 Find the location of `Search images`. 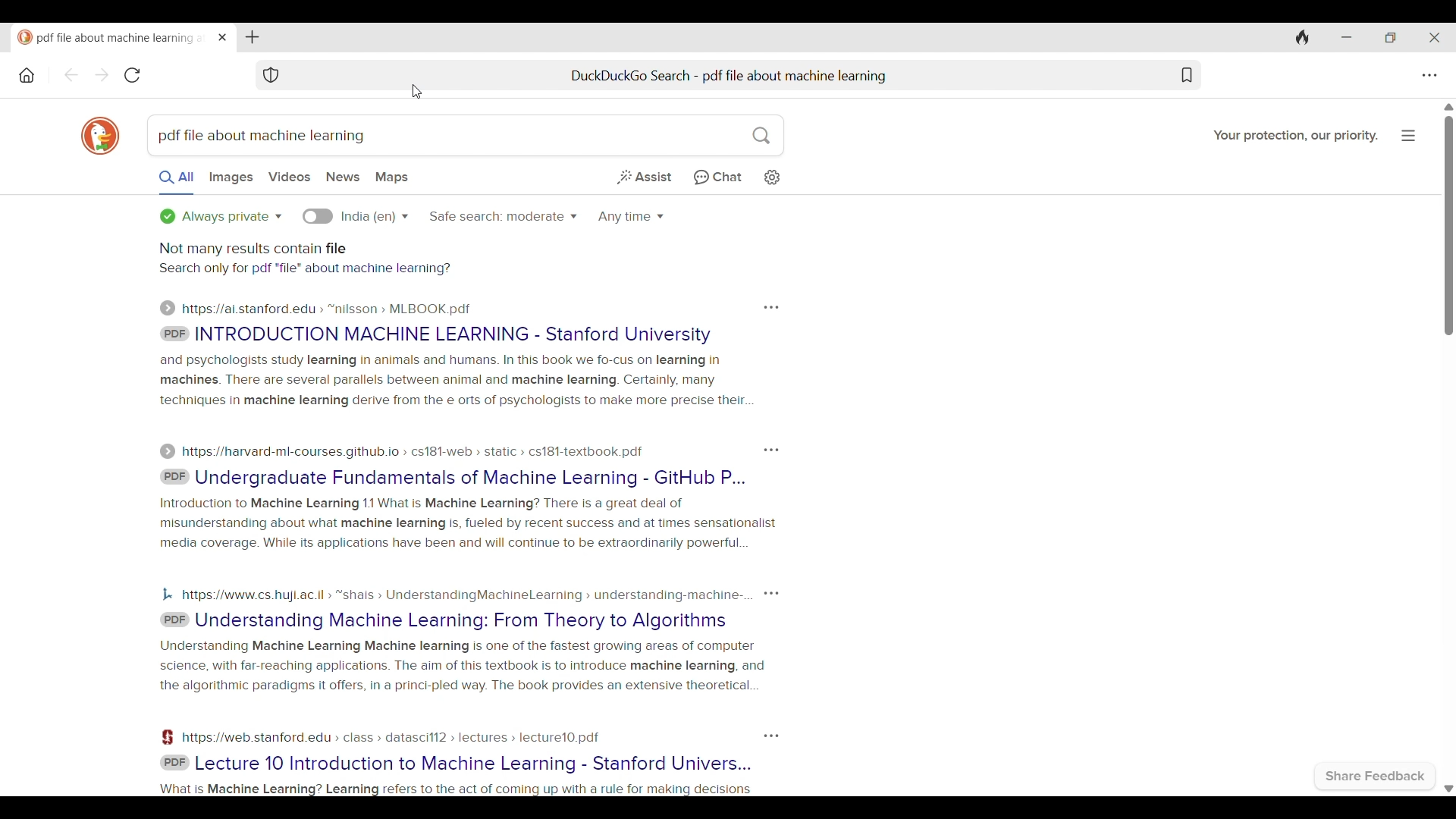

Search images is located at coordinates (231, 178).